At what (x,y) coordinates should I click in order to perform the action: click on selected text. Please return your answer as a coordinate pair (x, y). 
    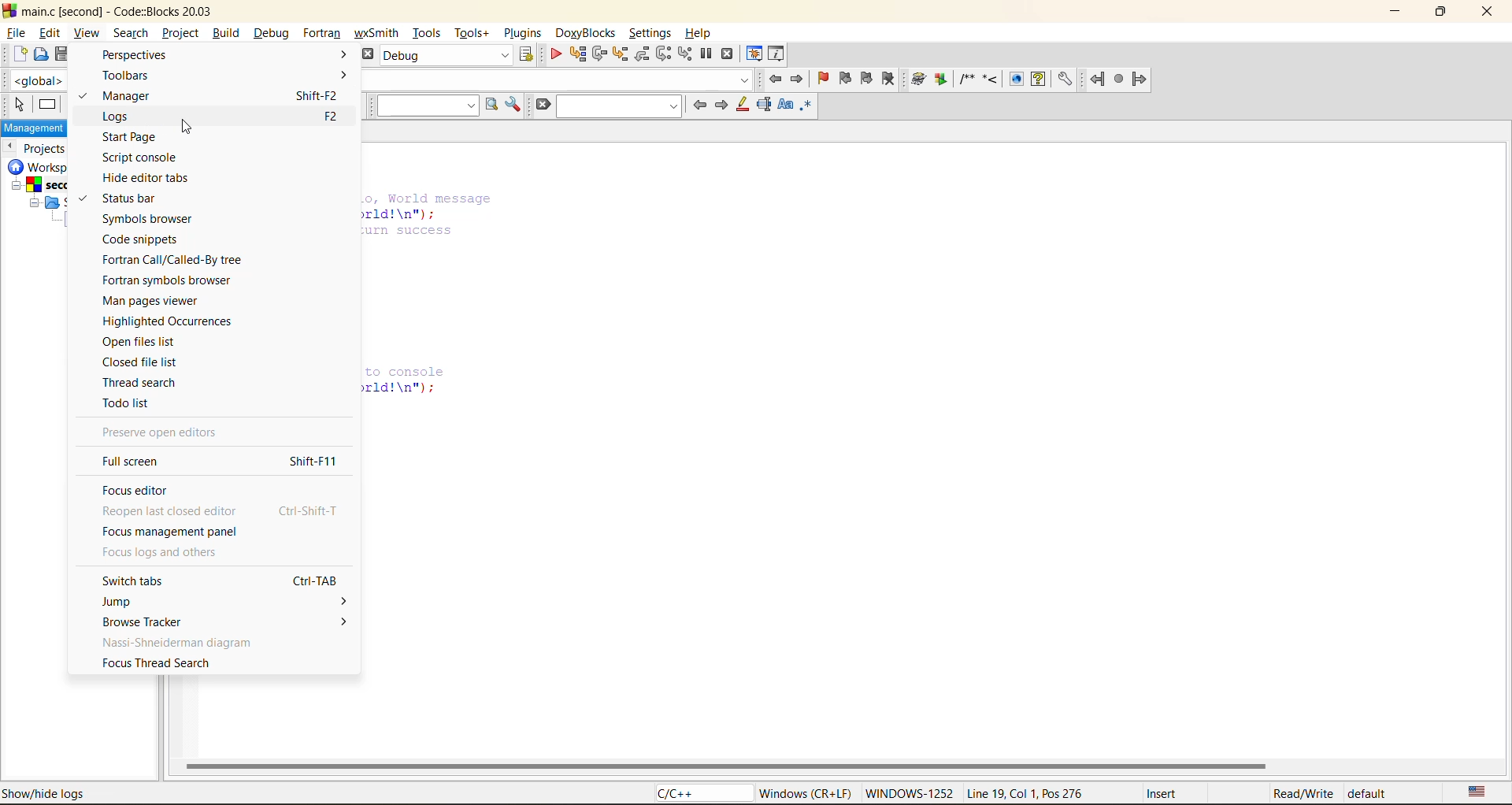
    Looking at the image, I should click on (765, 106).